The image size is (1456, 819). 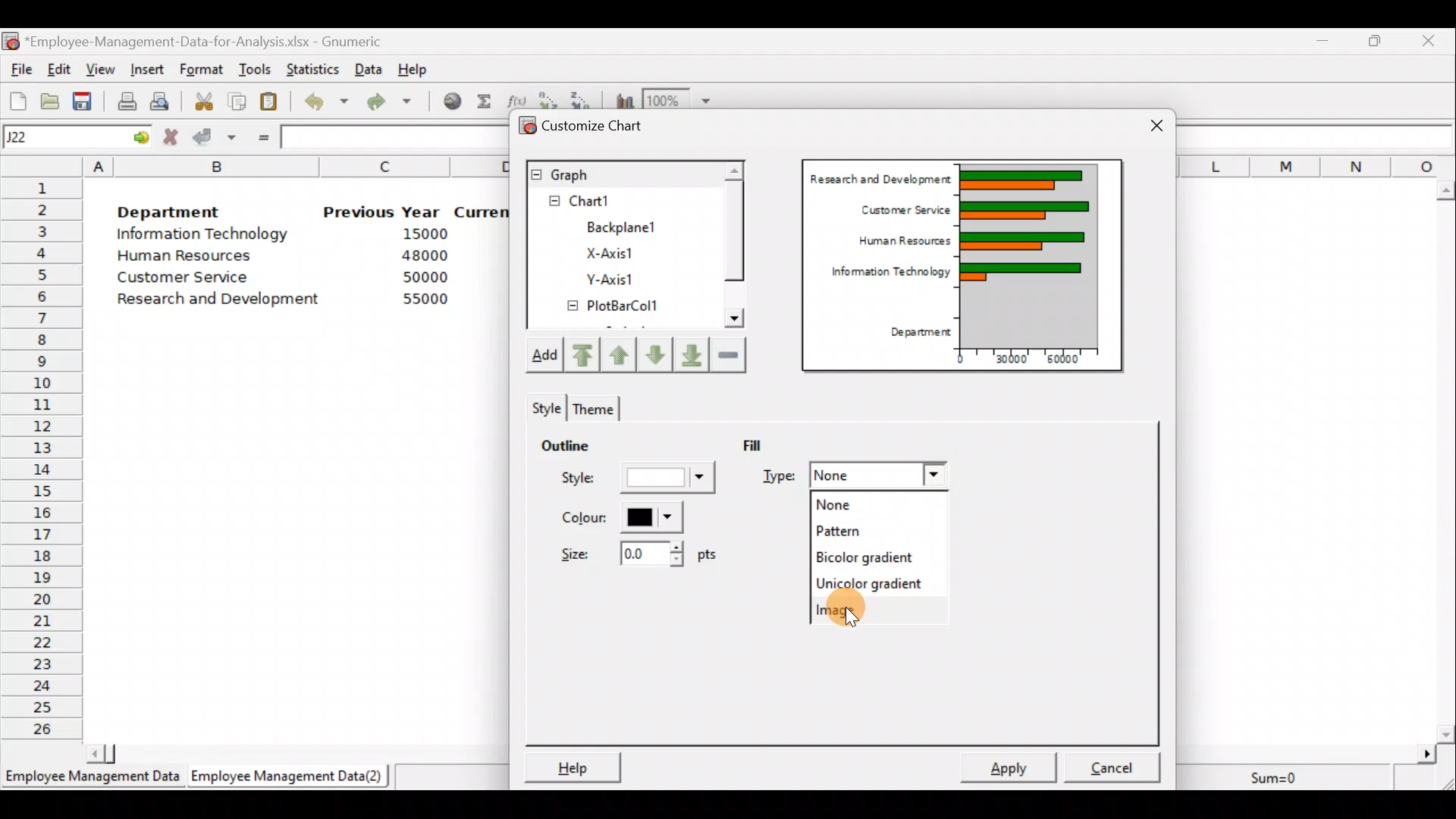 What do you see at coordinates (124, 99) in the screenshot?
I see `Print current file` at bounding box center [124, 99].